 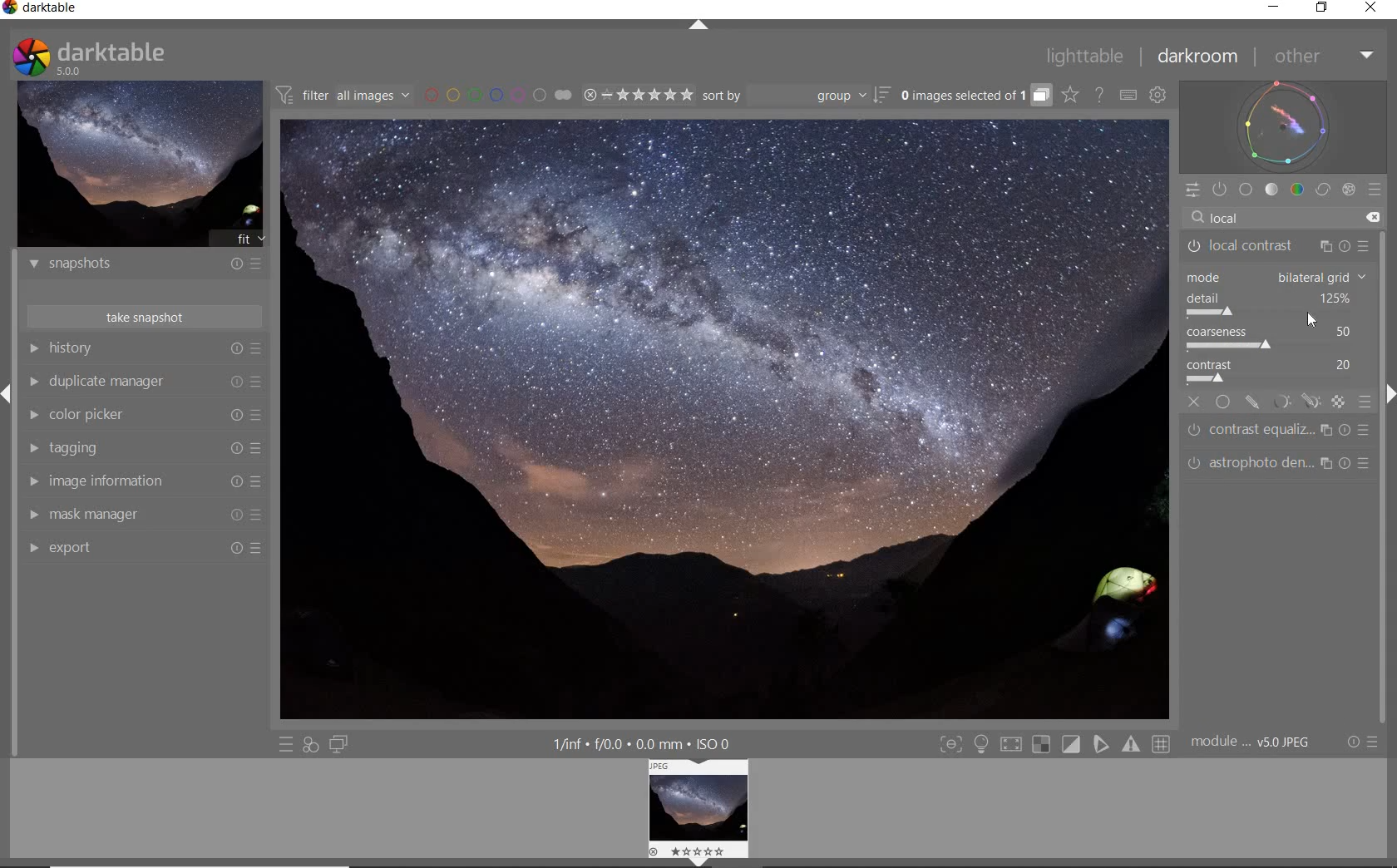 What do you see at coordinates (1389, 394) in the screenshot?
I see `hide left menu (shift+ctrl+l)` at bounding box center [1389, 394].